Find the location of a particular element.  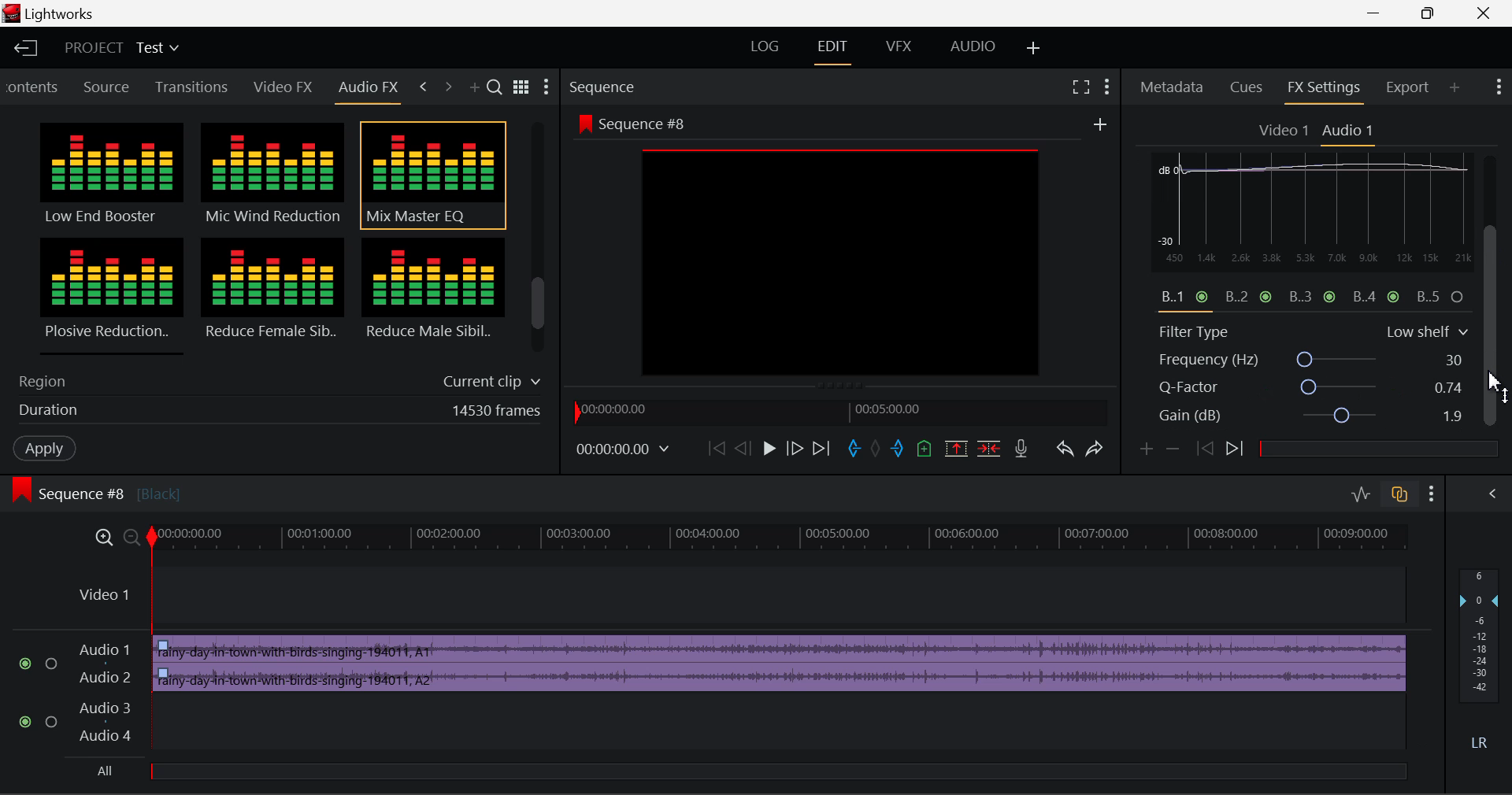

Video Layer is located at coordinates (737, 597).